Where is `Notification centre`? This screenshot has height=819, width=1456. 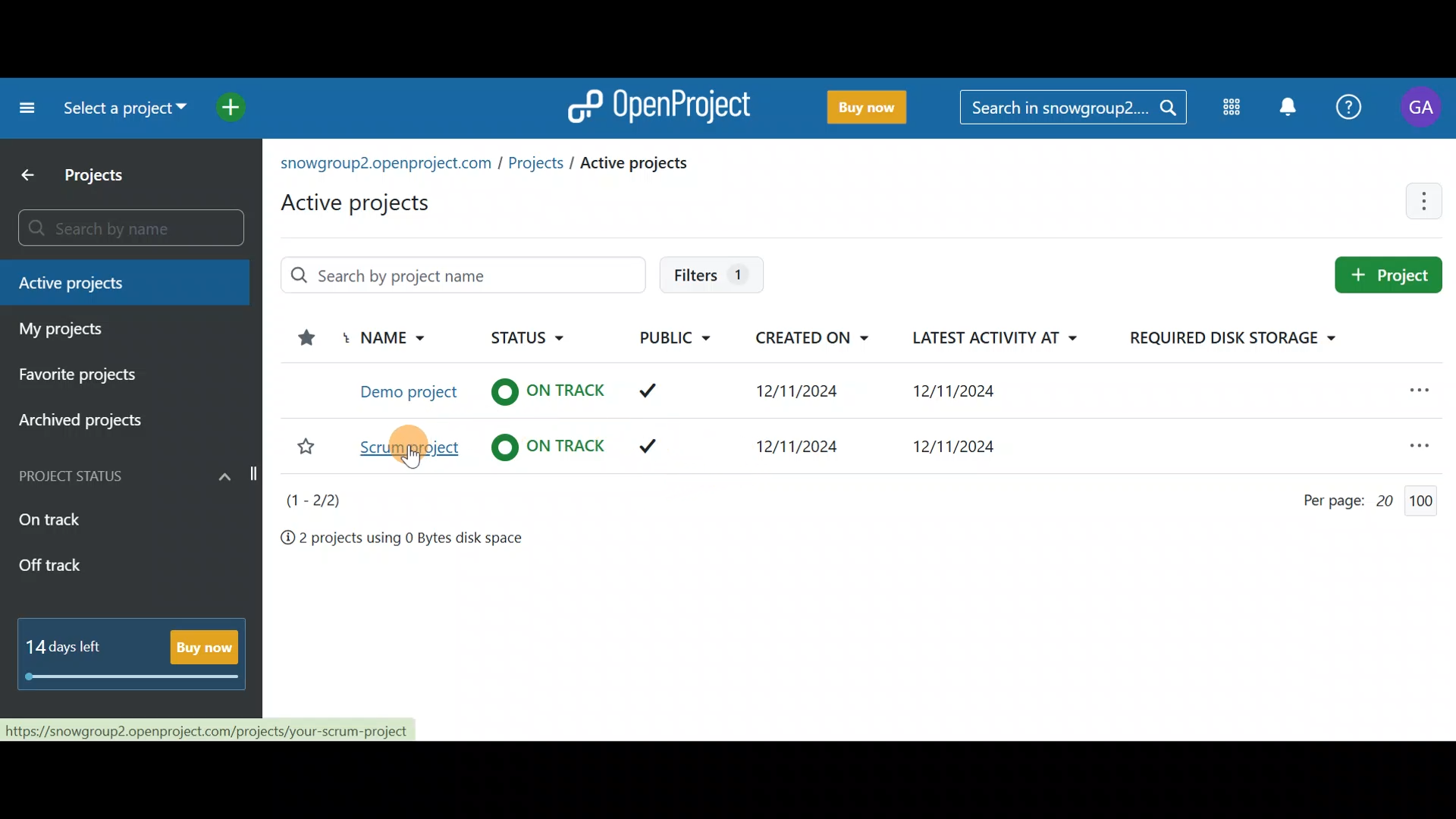
Notification centre is located at coordinates (1284, 106).